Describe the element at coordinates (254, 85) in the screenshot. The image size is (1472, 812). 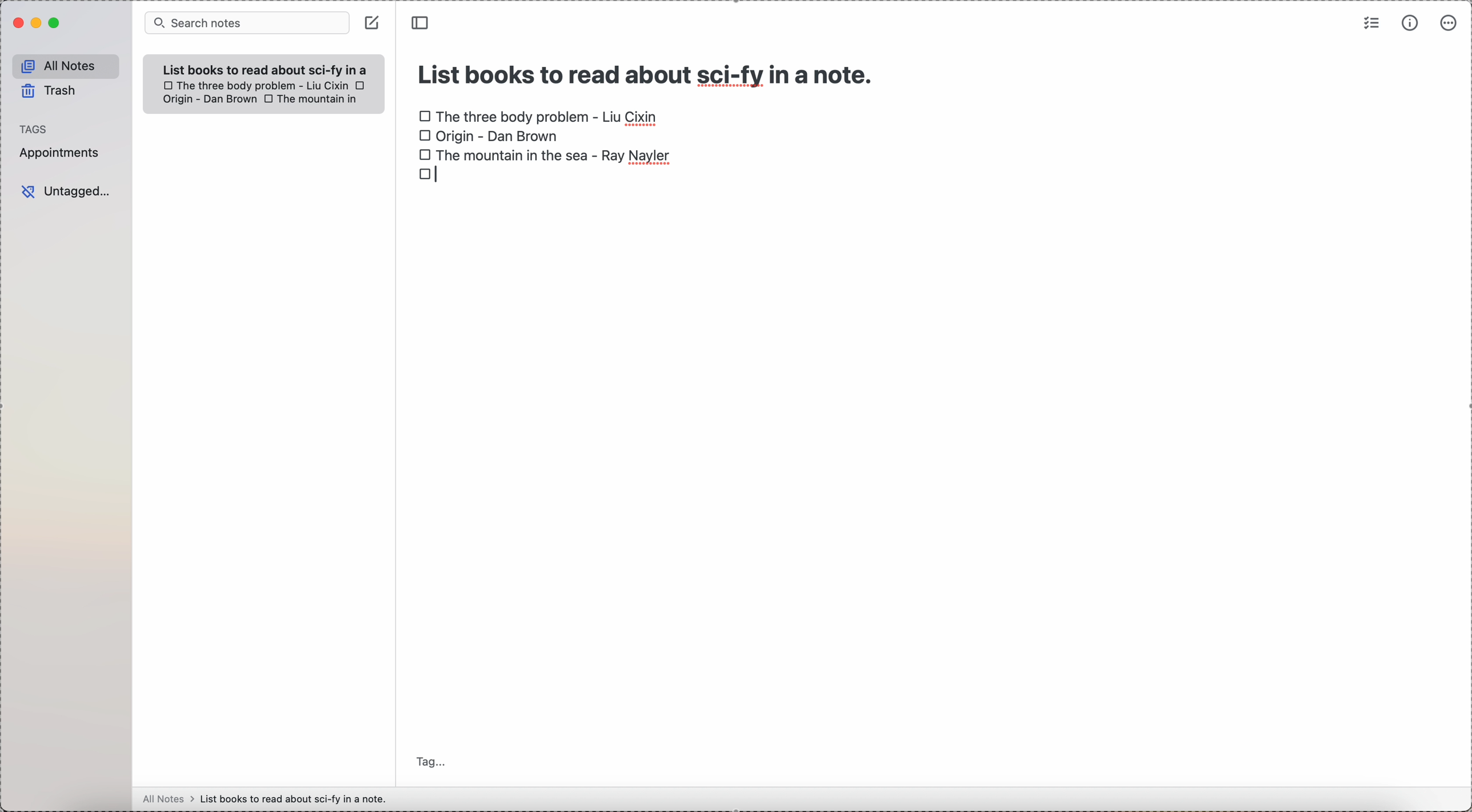
I see `checkbox The Three body problem - Liu Cixin book` at that location.